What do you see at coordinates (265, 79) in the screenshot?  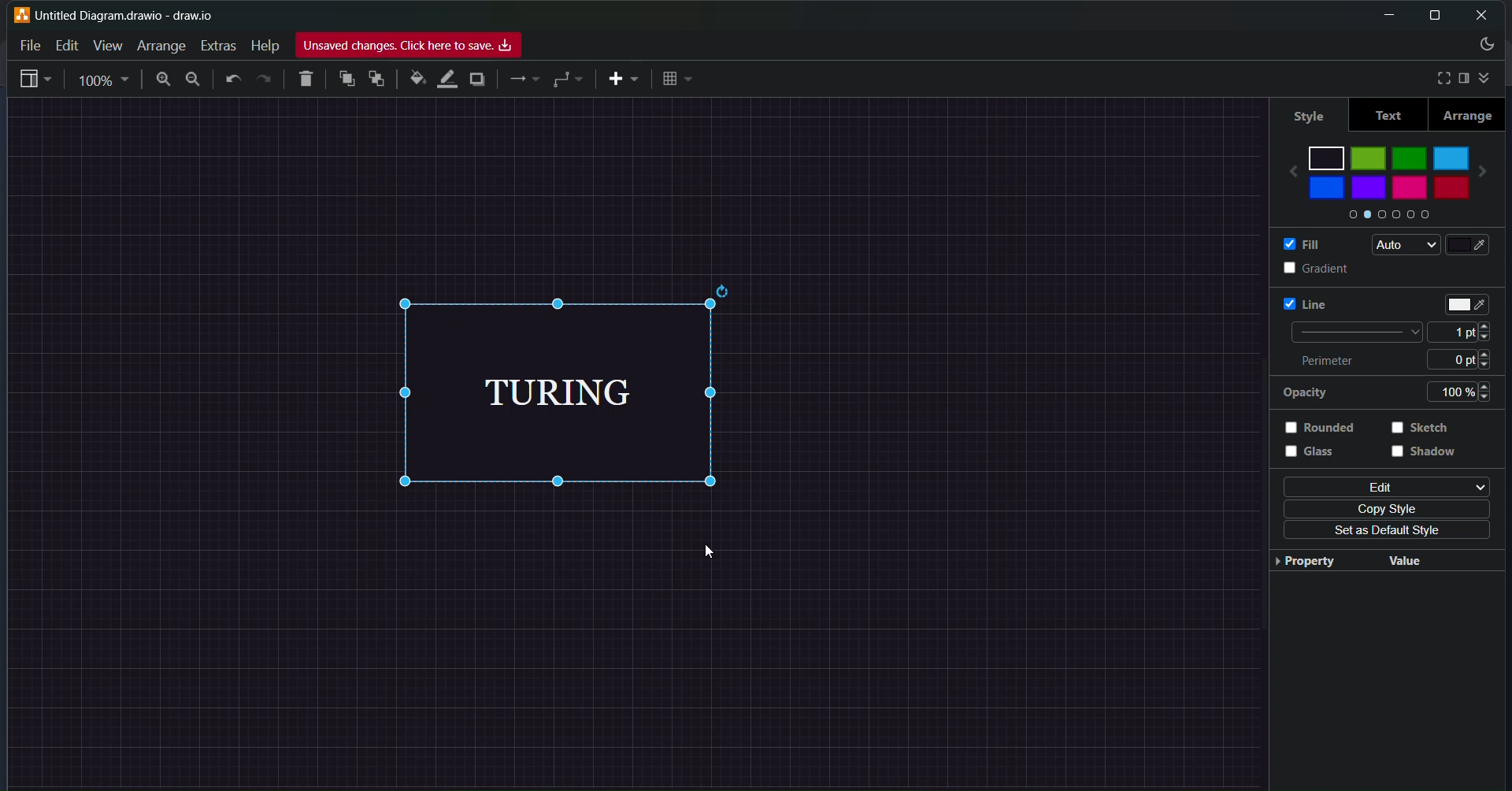 I see `redo` at bounding box center [265, 79].